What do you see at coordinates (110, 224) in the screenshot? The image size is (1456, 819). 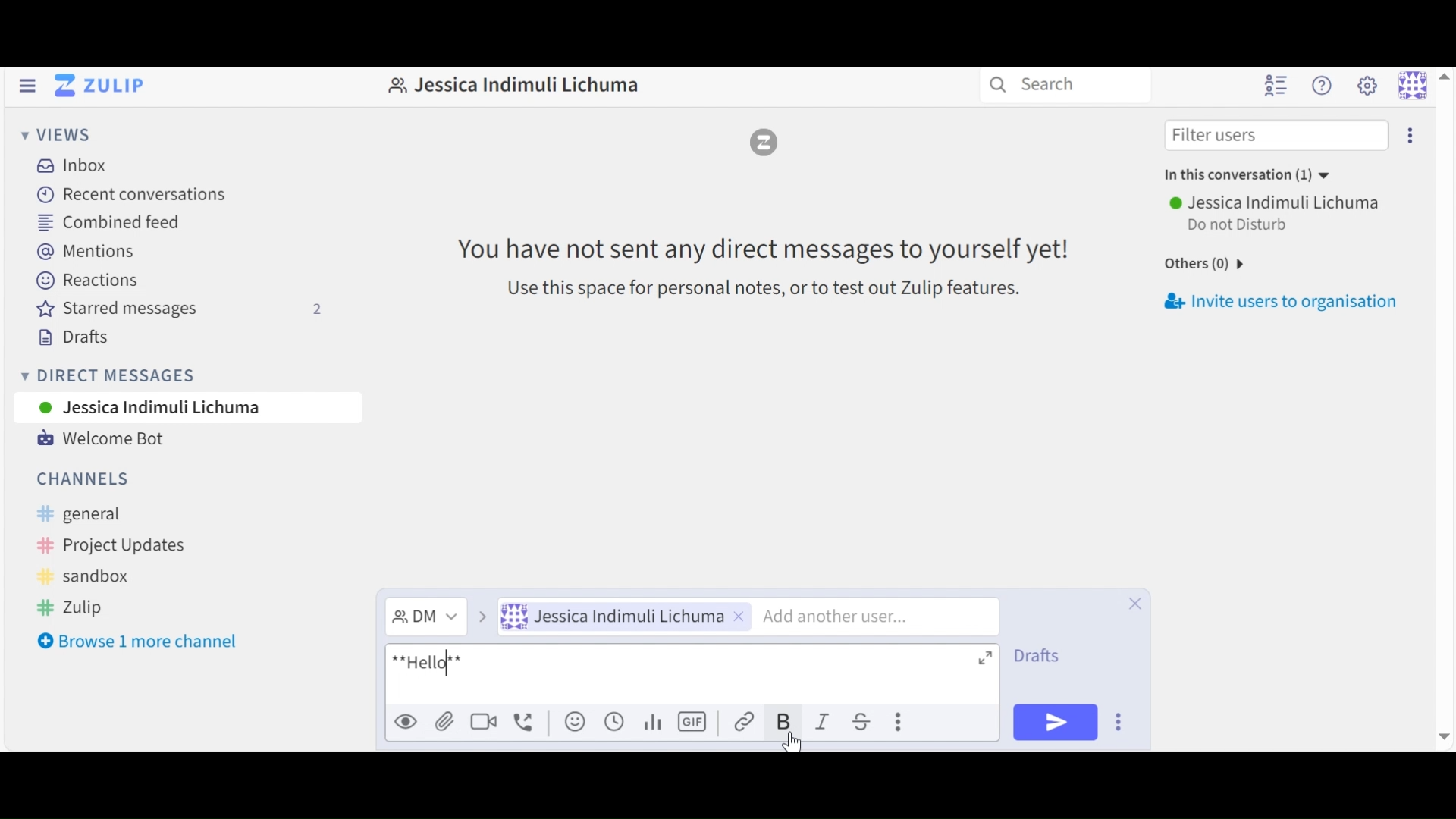 I see `Combined feed` at bounding box center [110, 224].